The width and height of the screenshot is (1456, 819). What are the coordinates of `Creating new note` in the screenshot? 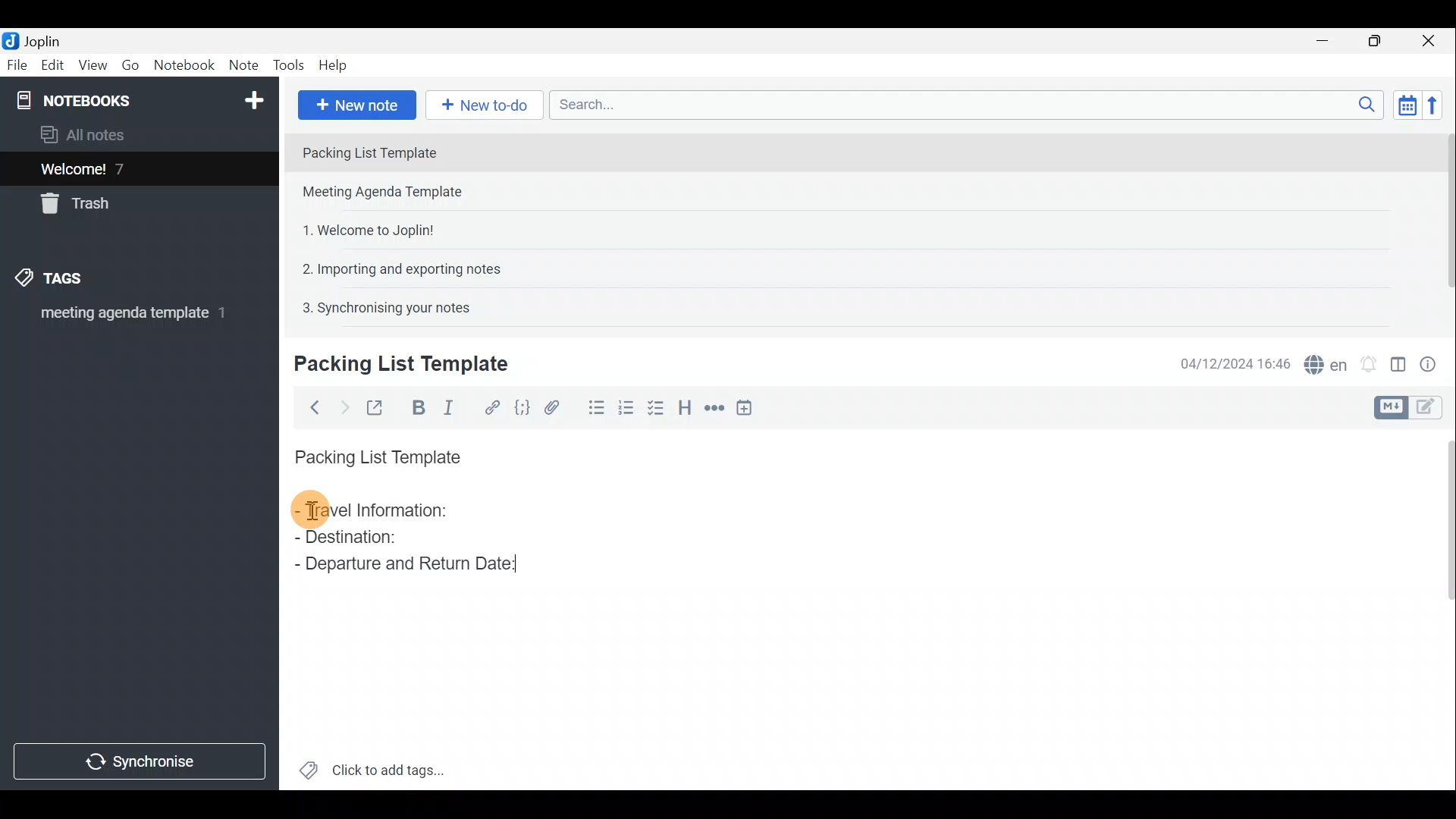 It's located at (392, 365).